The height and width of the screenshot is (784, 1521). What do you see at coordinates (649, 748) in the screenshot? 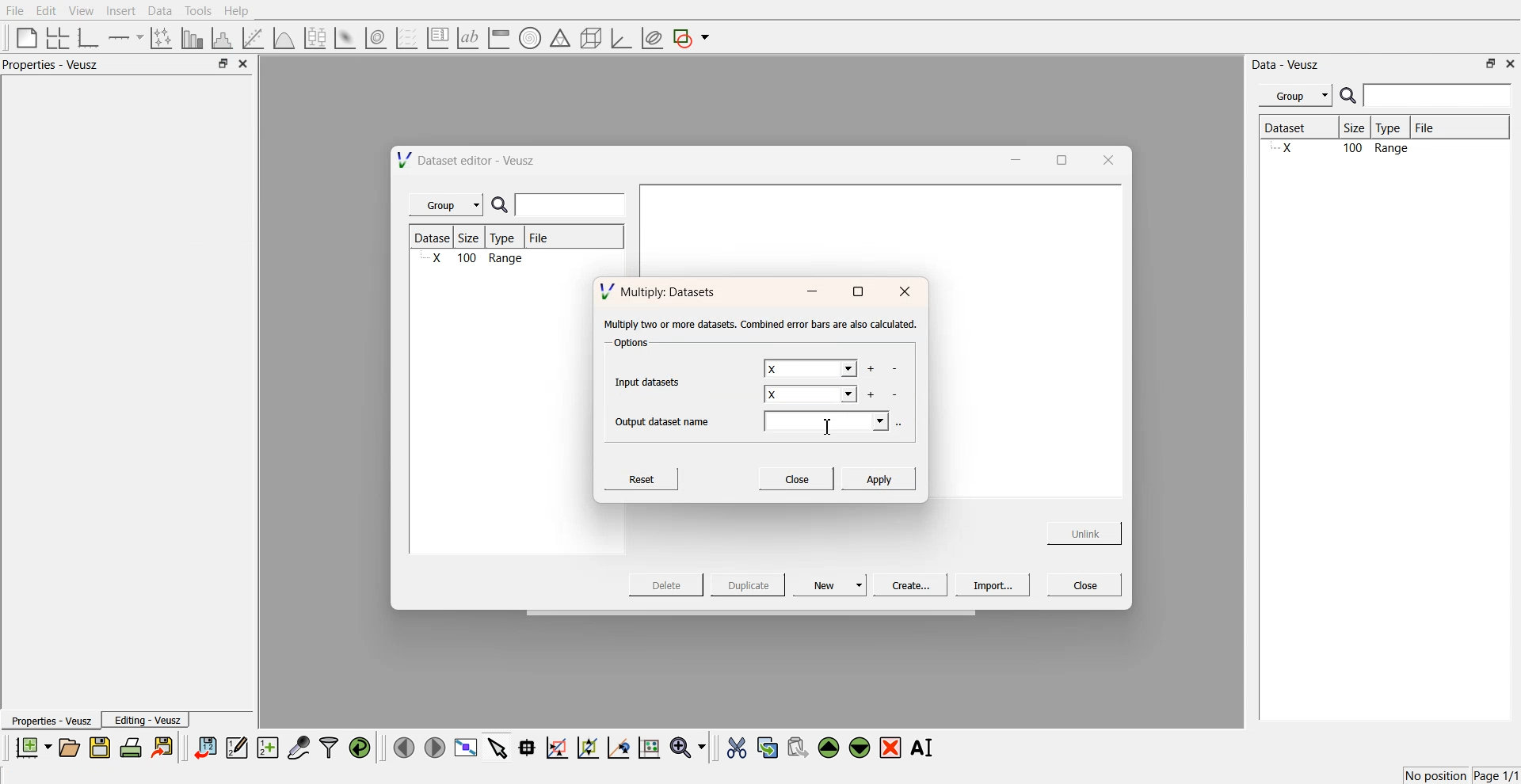
I see `reset the graph axes` at bounding box center [649, 748].